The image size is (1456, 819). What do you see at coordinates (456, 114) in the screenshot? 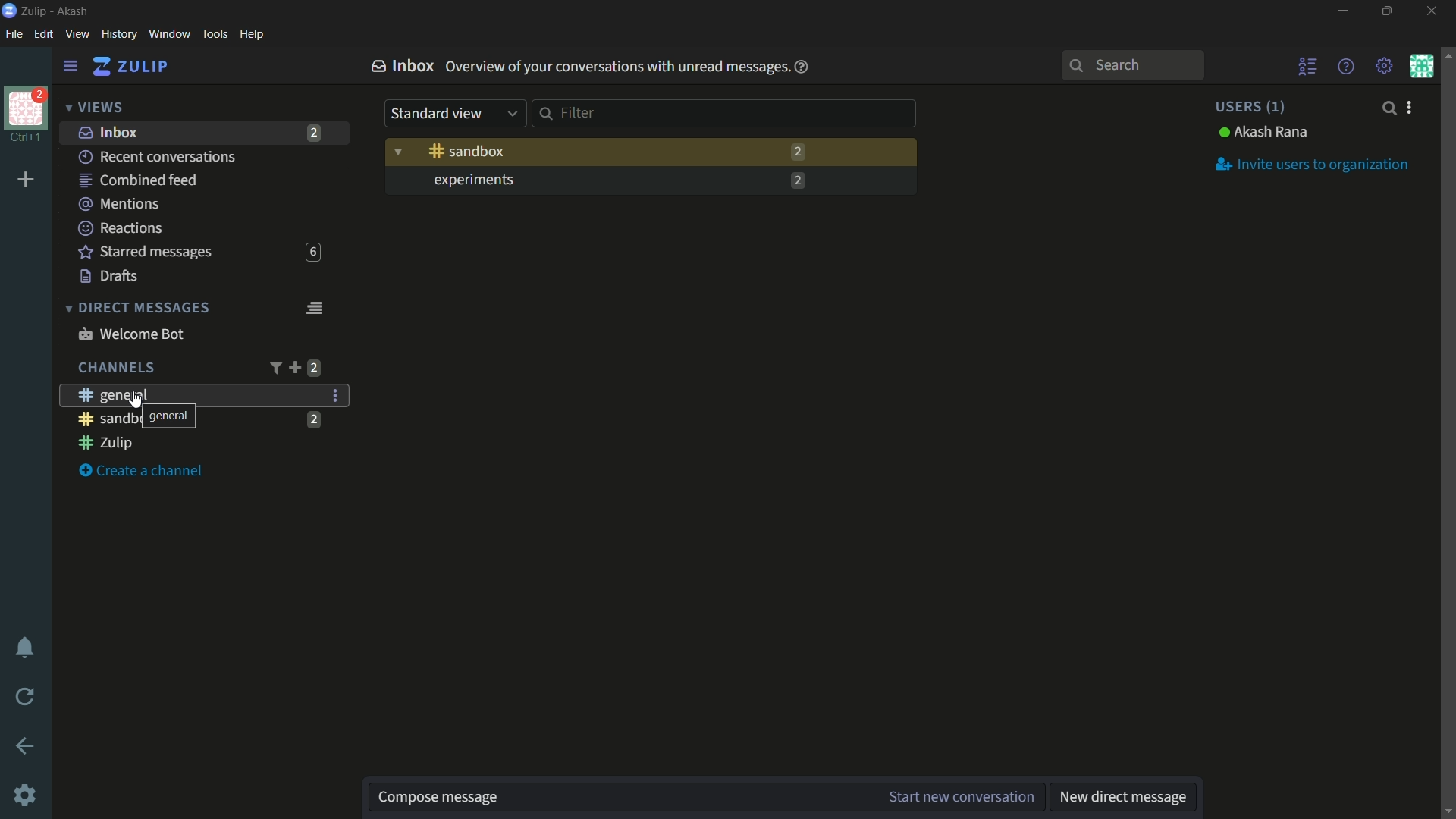
I see `standard view` at bounding box center [456, 114].